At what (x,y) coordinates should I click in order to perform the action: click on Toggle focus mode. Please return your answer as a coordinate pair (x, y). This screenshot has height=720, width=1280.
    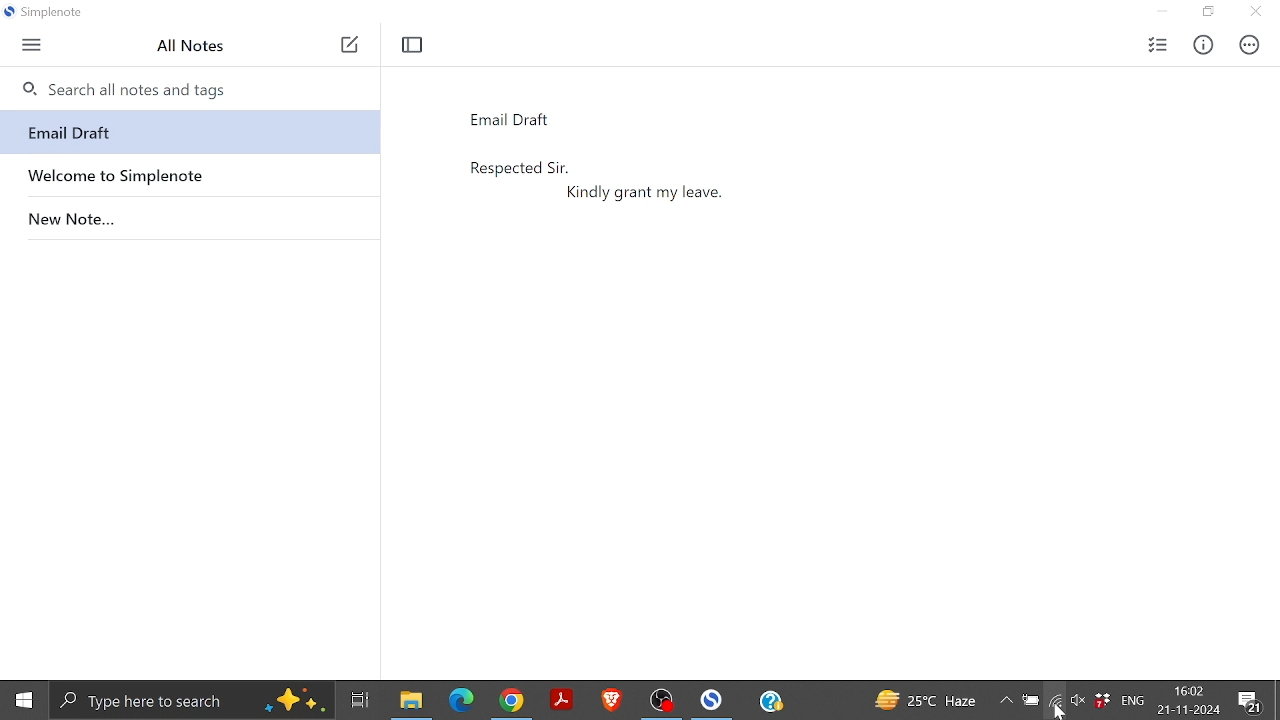
    Looking at the image, I should click on (414, 45).